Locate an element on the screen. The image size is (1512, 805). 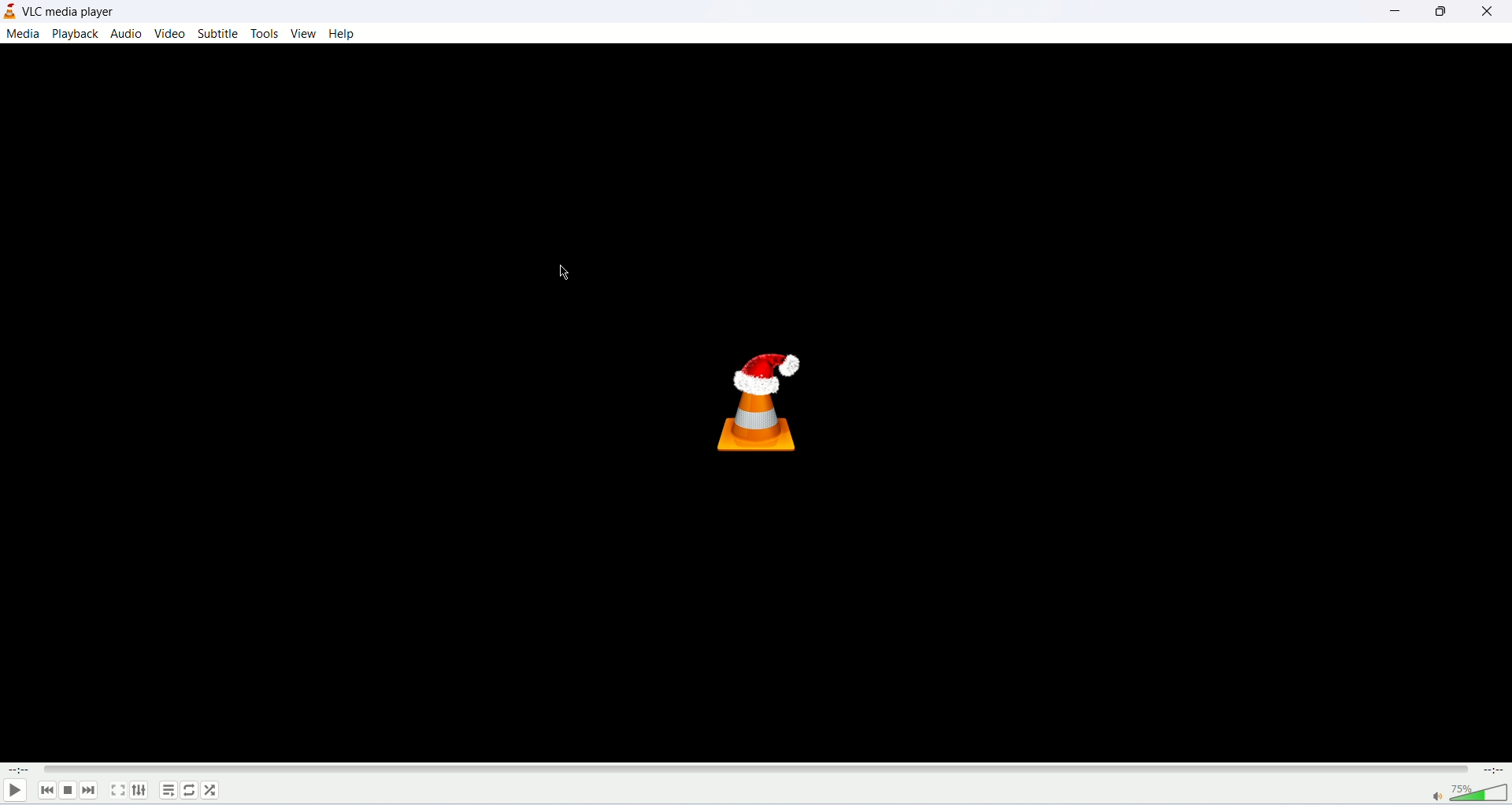
extended settings is located at coordinates (139, 791).